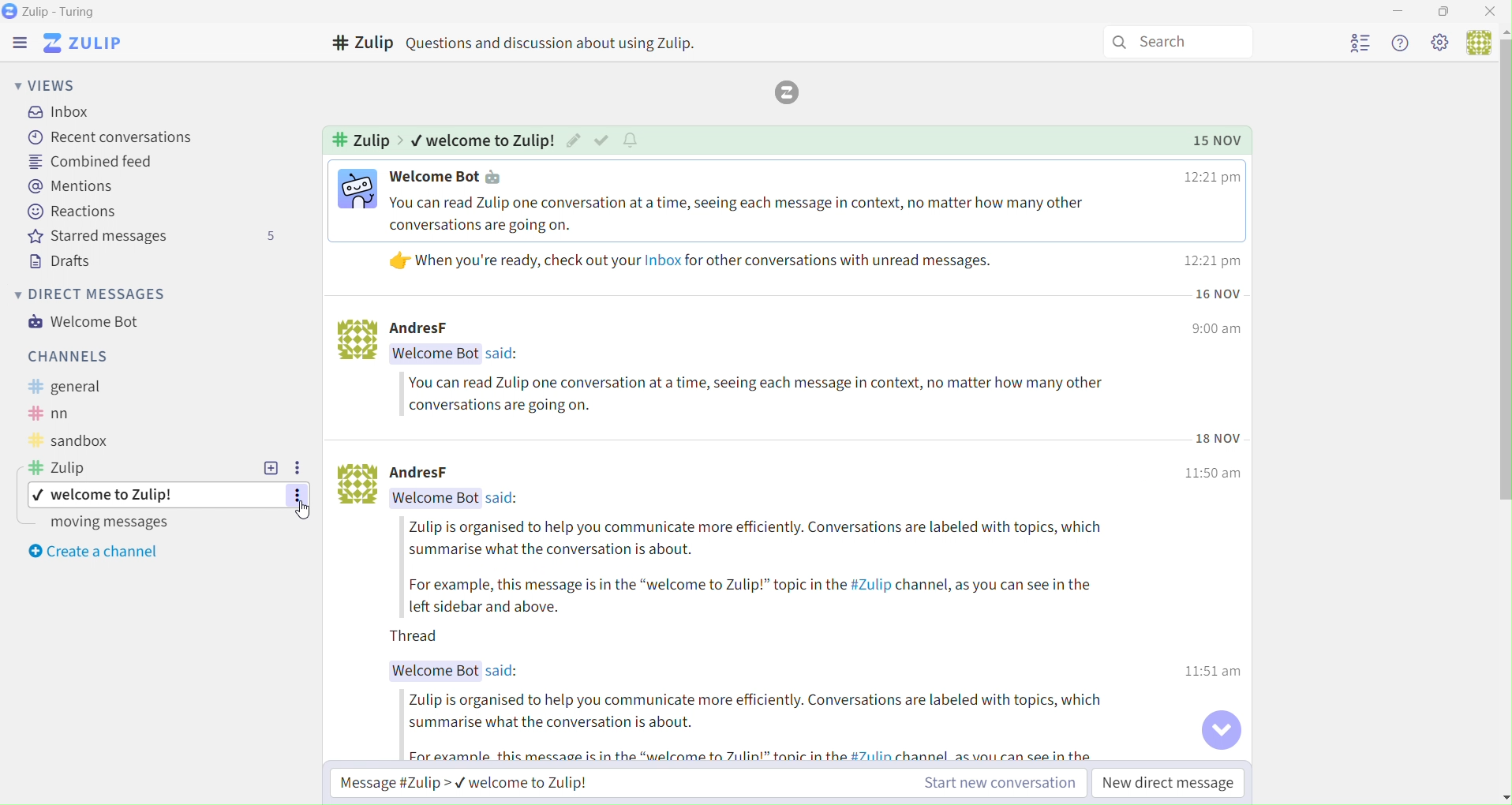  What do you see at coordinates (434, 497) in the screenshot?
I see `Text` at bounding box center [434, 497].